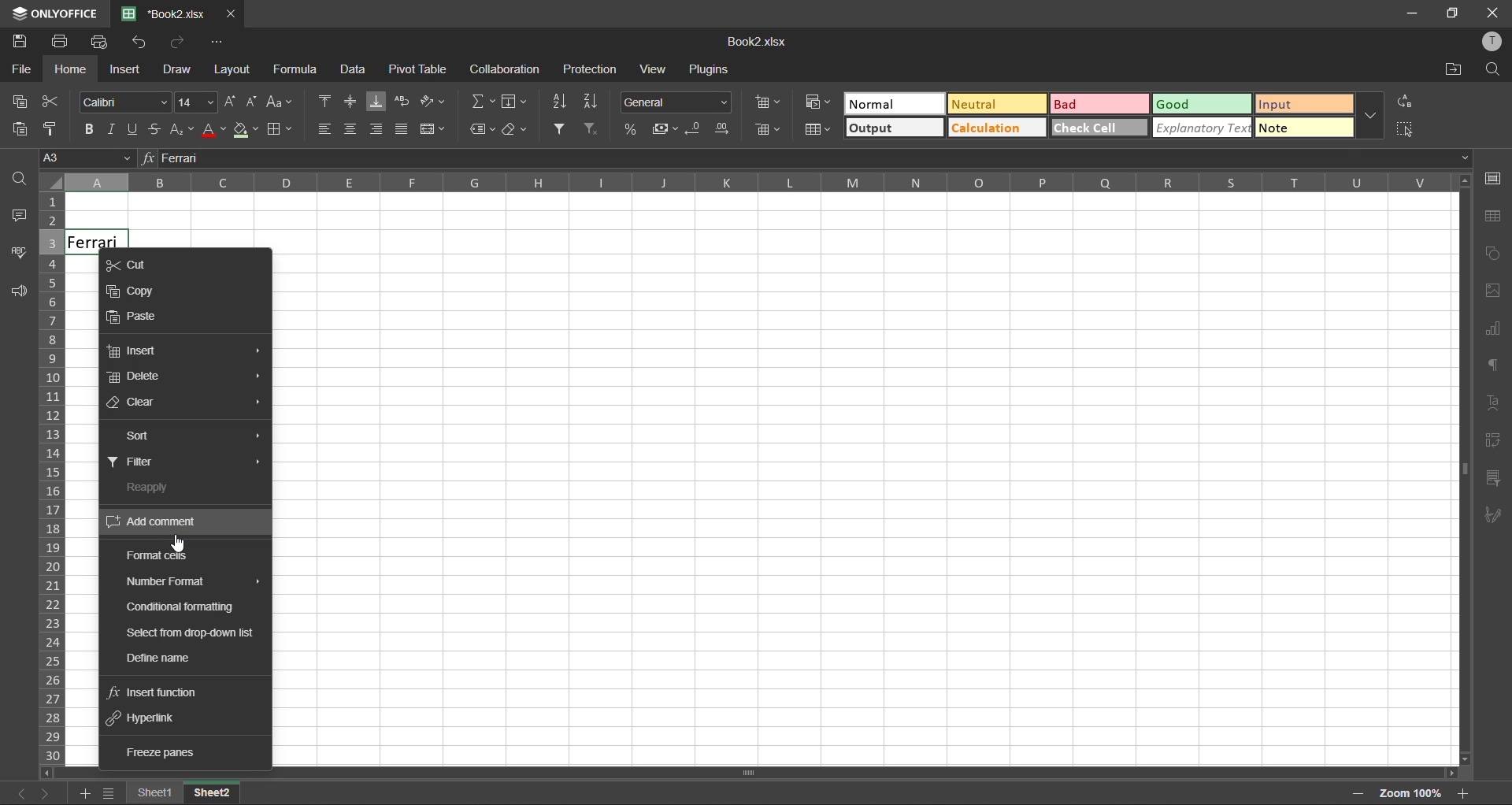 The width and height of the screenshot is (1512, 805). What do you see at coordinates (17, 69) in the screenshot?
I see `file` at bounding box center [17, 69].